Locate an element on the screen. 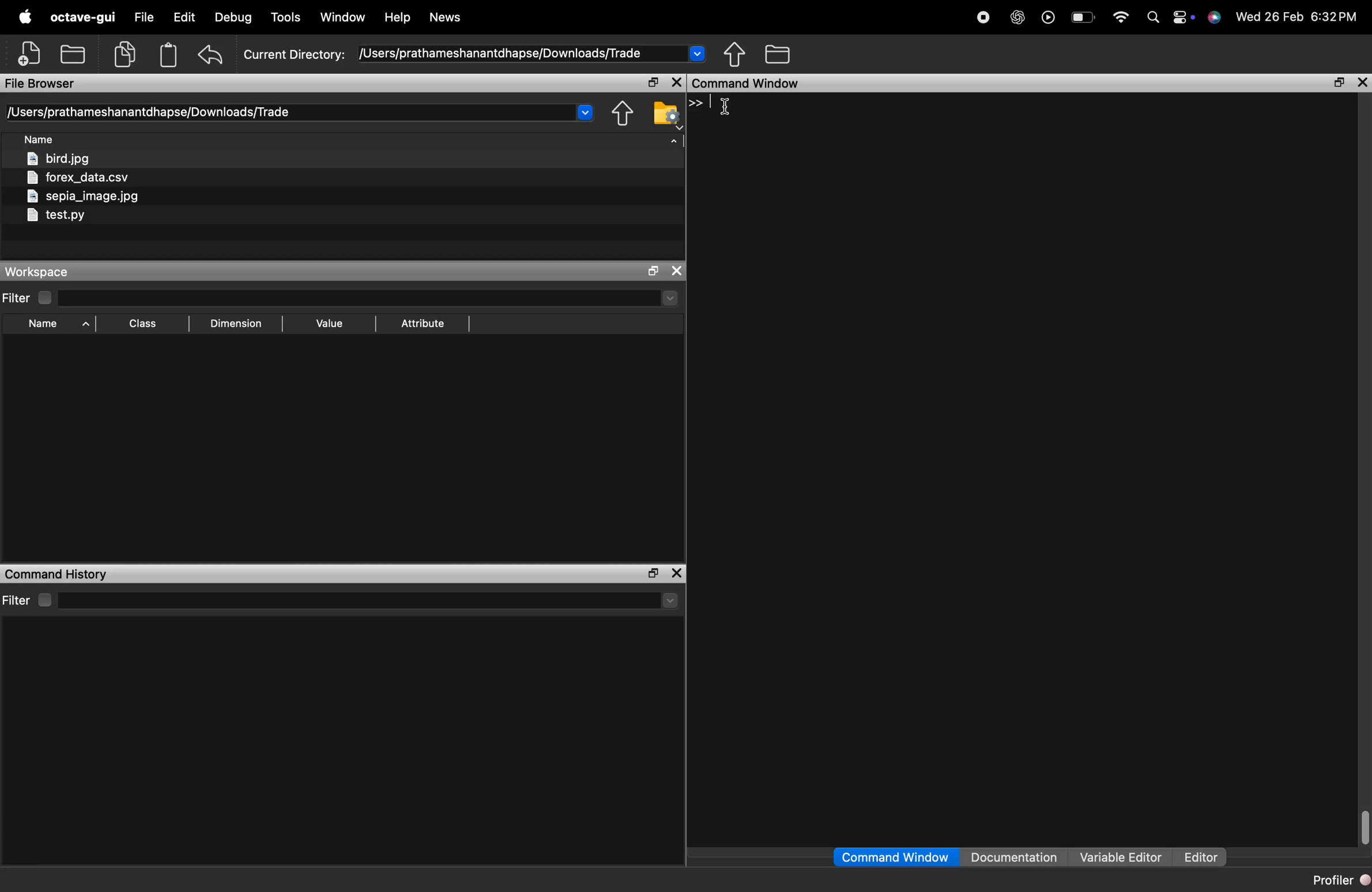 This screenshot has height=892, width=1372. apple logo is located at coordinates (23, 16).